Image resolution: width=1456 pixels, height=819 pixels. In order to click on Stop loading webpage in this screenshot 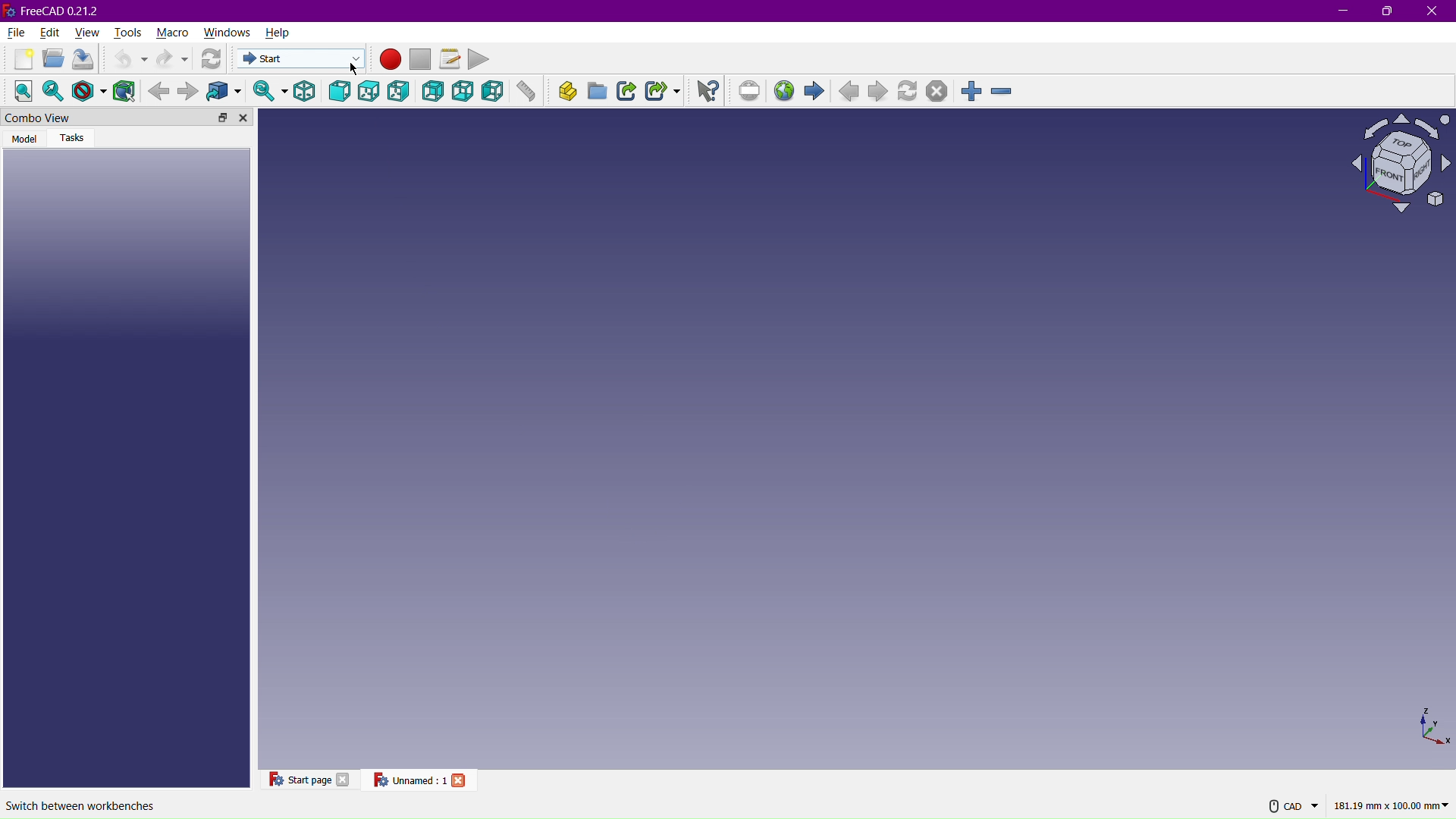, I will do `click(940, 91)`.